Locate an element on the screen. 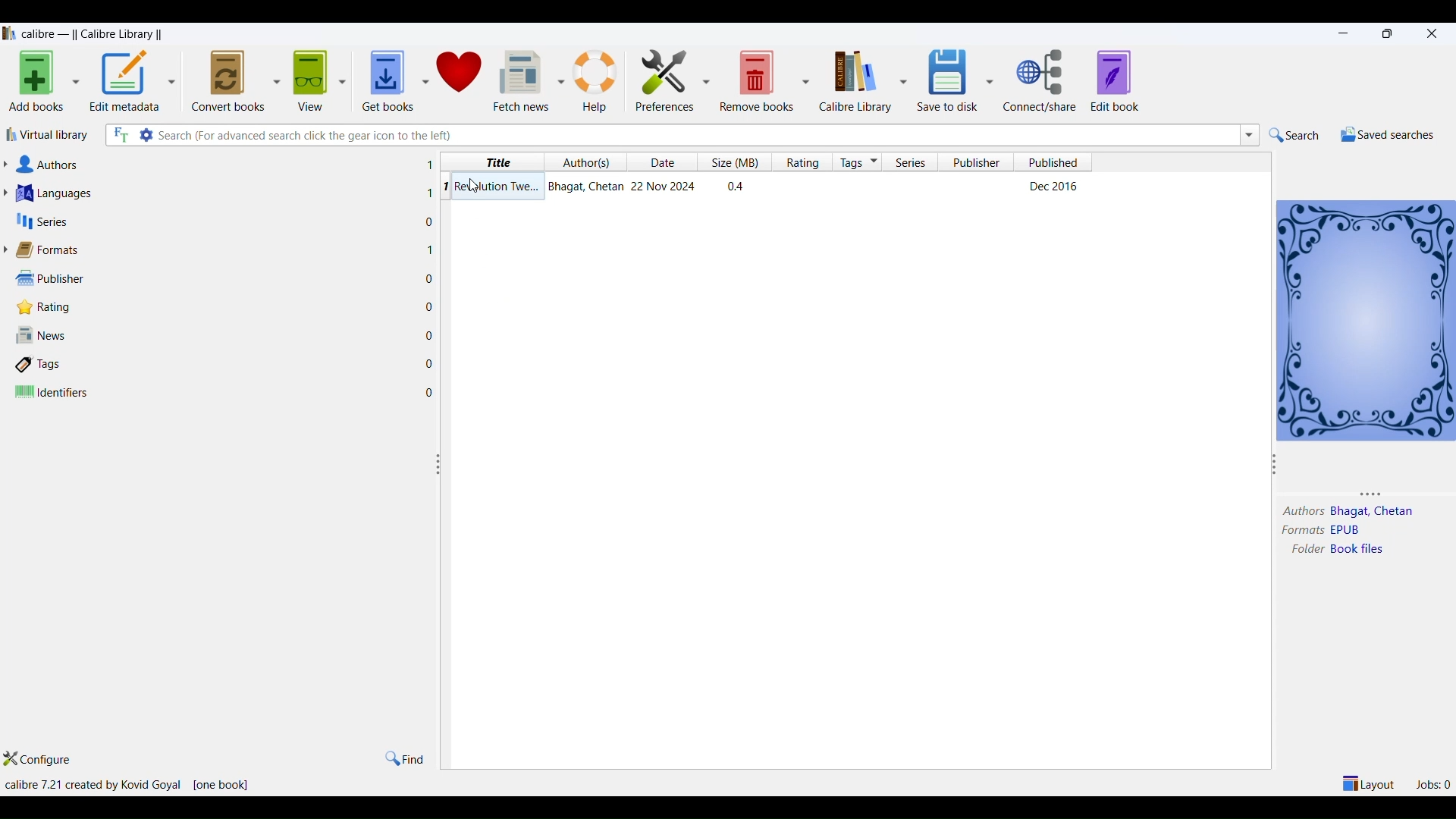  get books is located at coordinates (384, 77).